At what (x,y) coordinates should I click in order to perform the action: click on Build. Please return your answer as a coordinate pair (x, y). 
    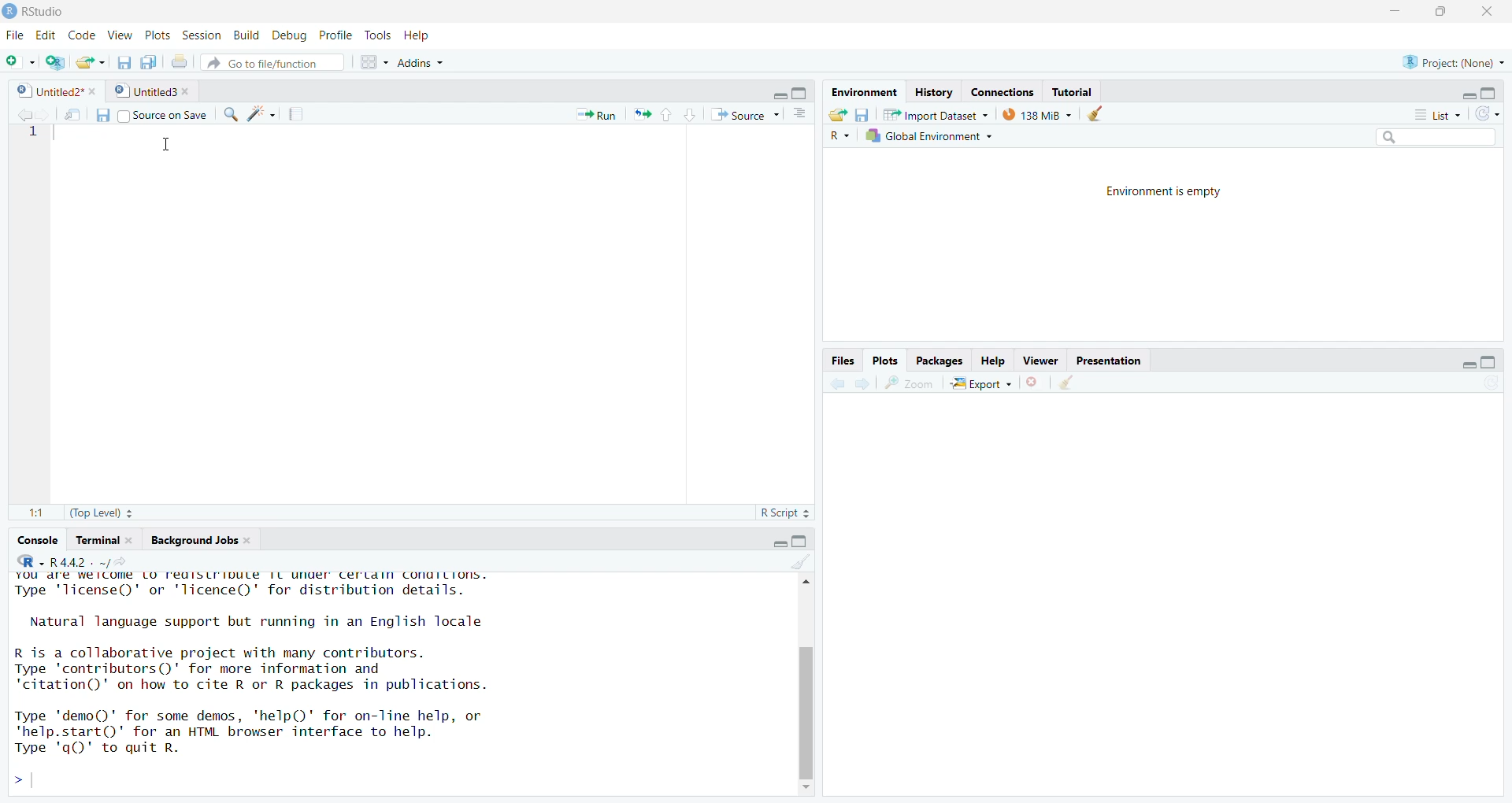
    Looking at the image, I should click on (243, 36).